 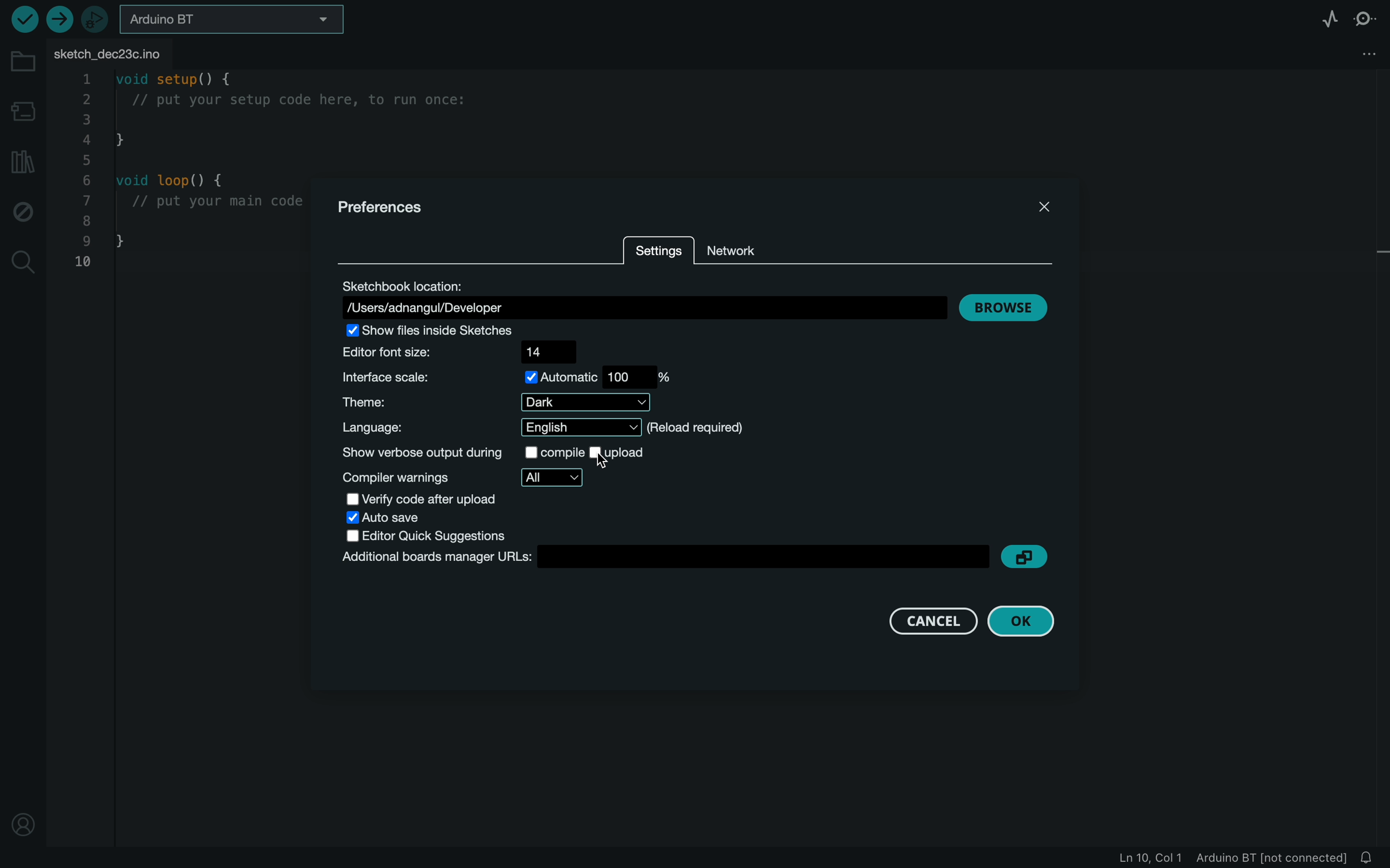 What do you see at coordinates (434, 534) in the screenshot?
I see `editor quick` at bounding box center [434, 534].